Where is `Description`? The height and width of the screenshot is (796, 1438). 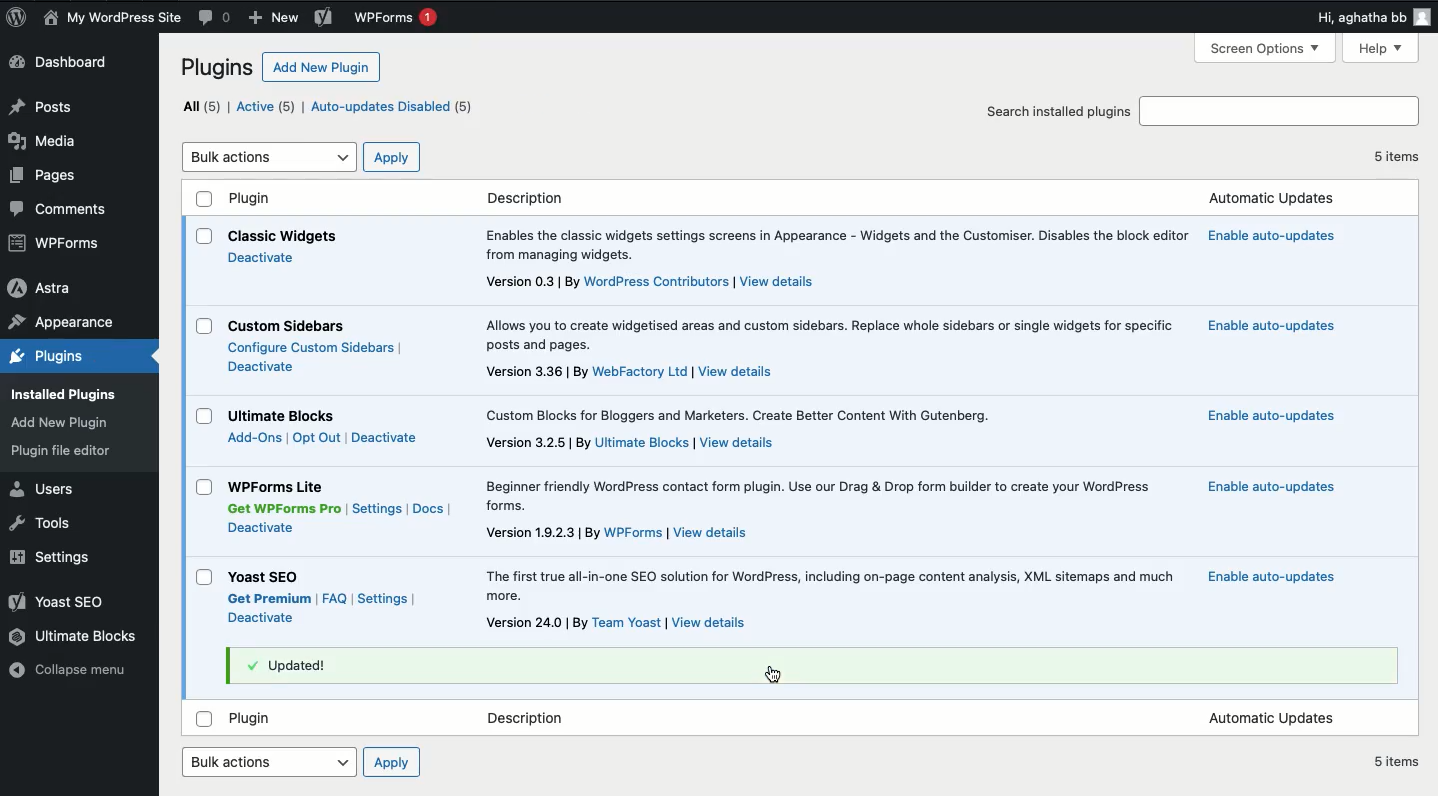 Description is located at coordinates (651, 283).